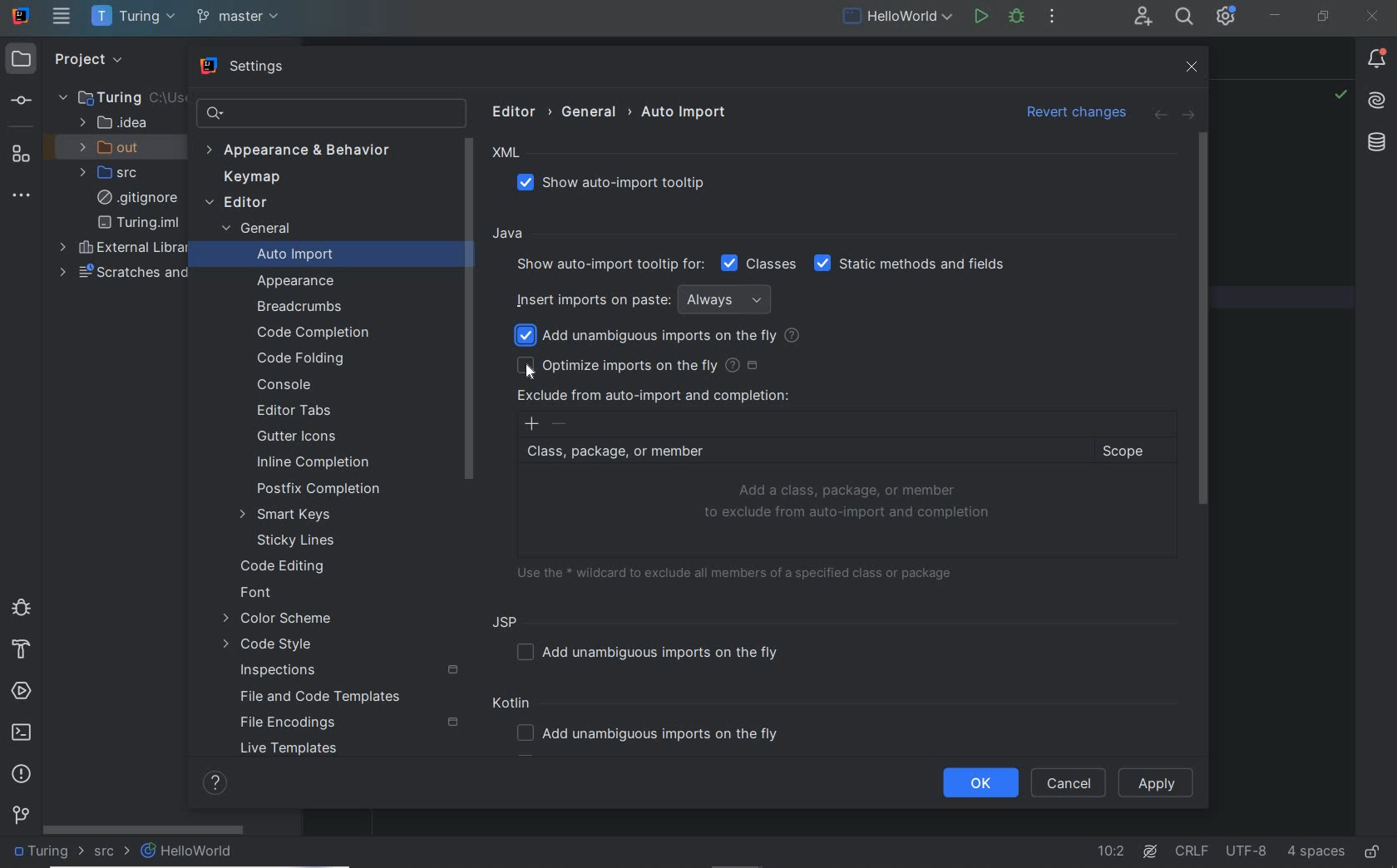 This screenshot has width=1397, height=868. I want to click on Application logo, so click(22, 15).